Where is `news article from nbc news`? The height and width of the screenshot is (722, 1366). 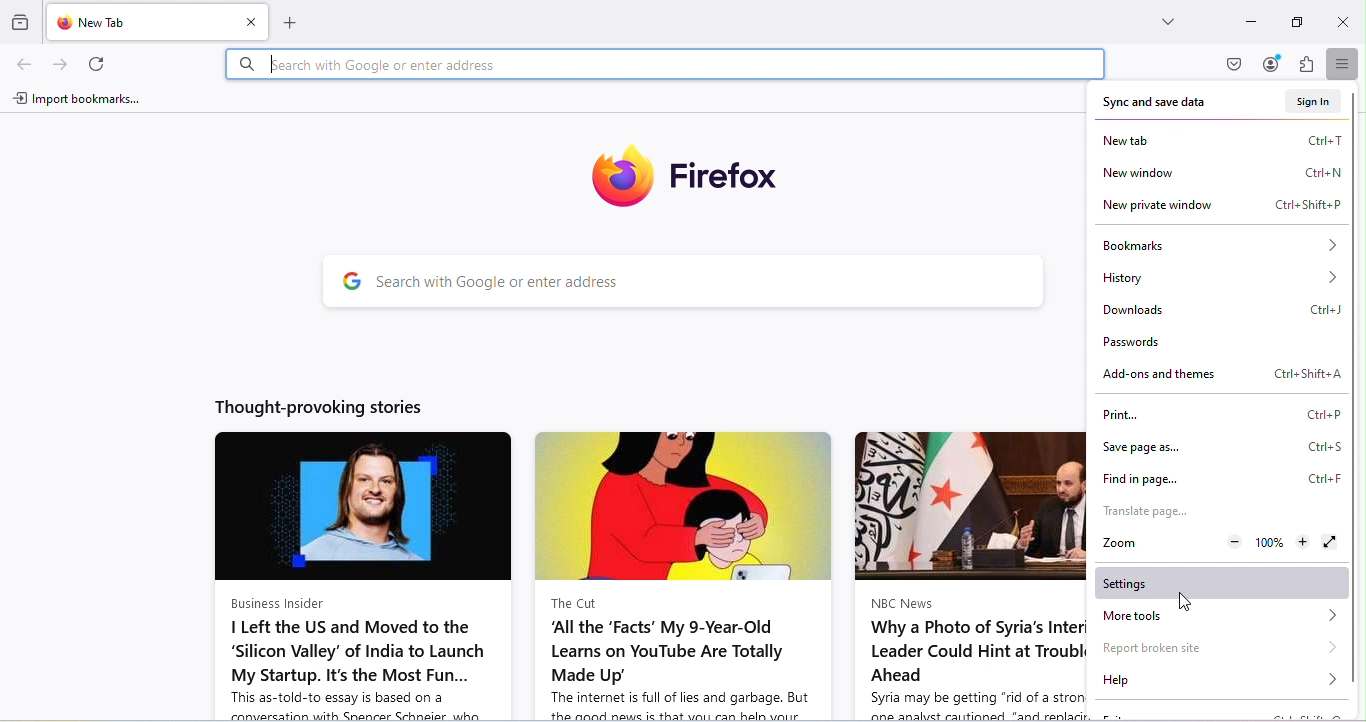 news article from nbc news is located at coordinates (962, 575).